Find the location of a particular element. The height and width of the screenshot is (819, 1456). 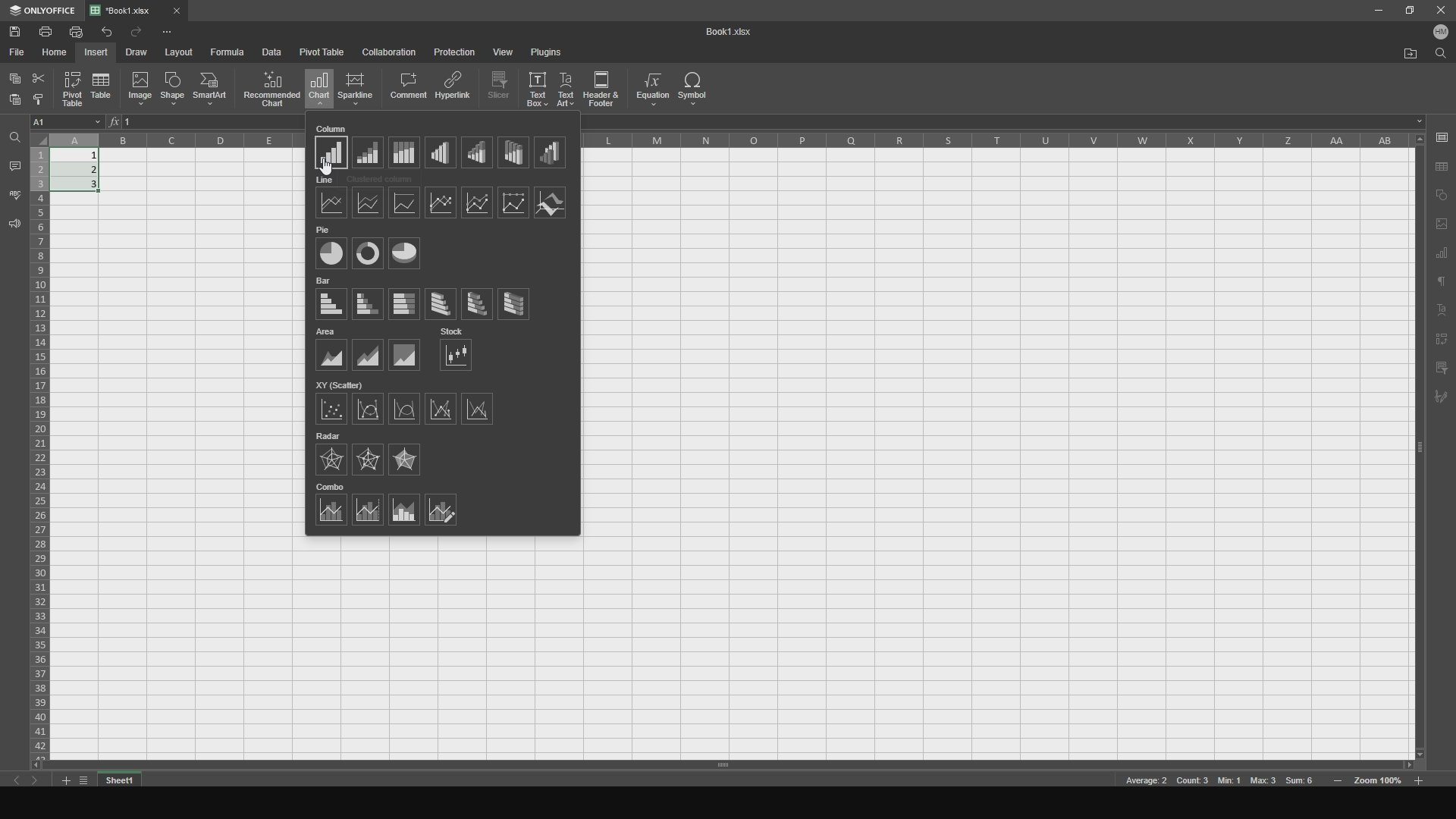

find is located at coordinates (1439, 56).